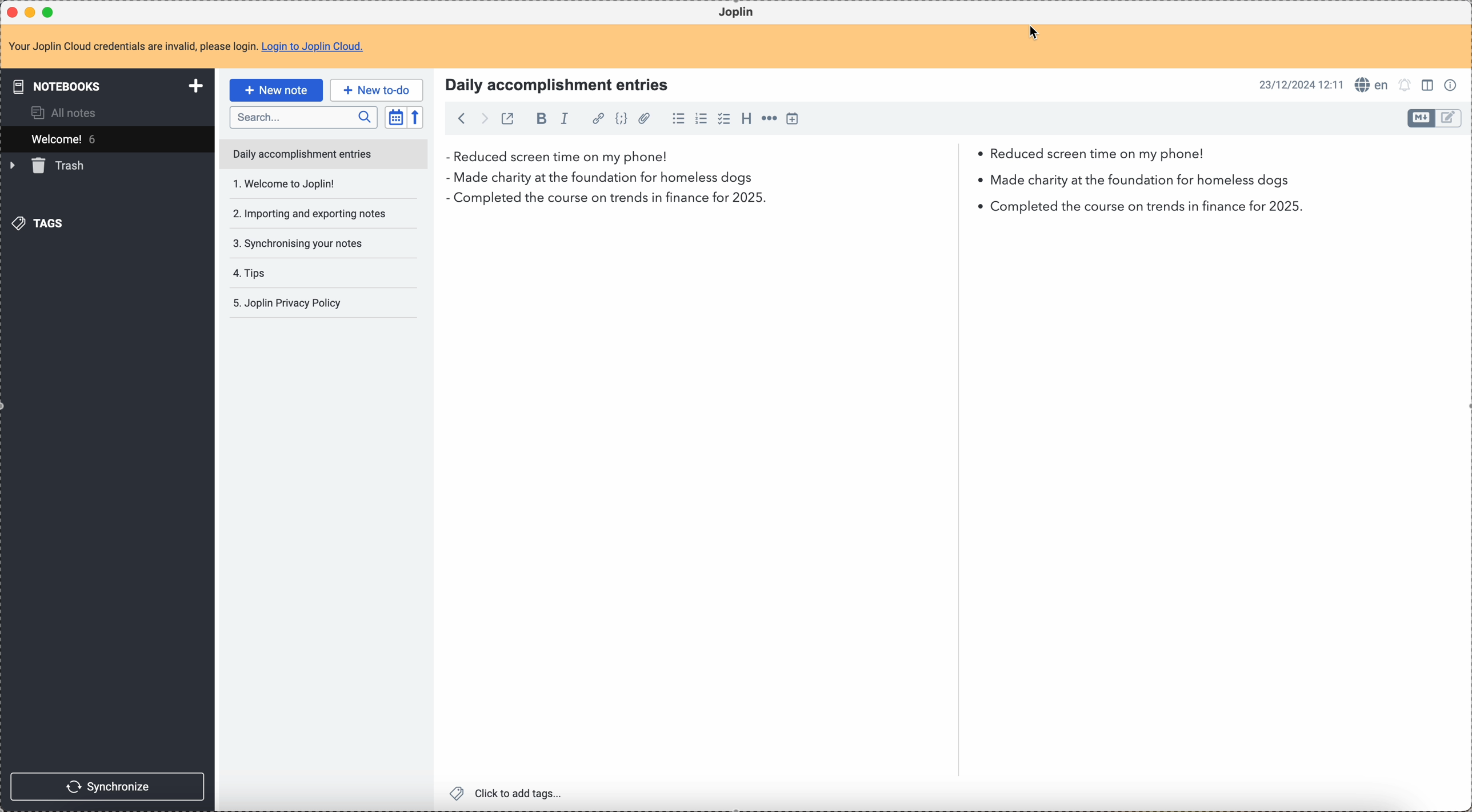 This screenshot has width=1472, height=812. I want to click on attach file, so click(644, 119).